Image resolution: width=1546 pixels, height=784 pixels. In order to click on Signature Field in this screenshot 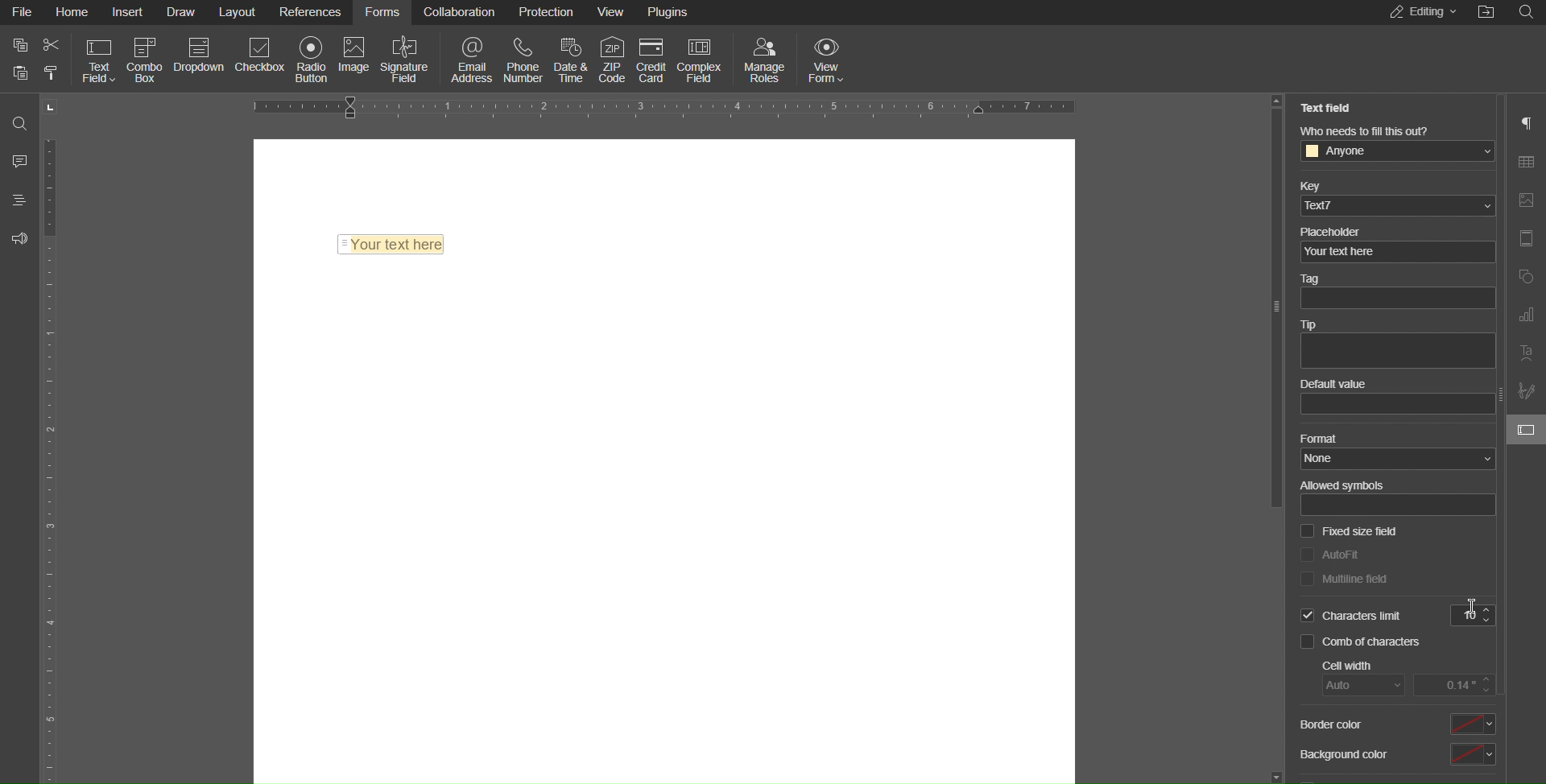, I will do `click(406, 58)`.